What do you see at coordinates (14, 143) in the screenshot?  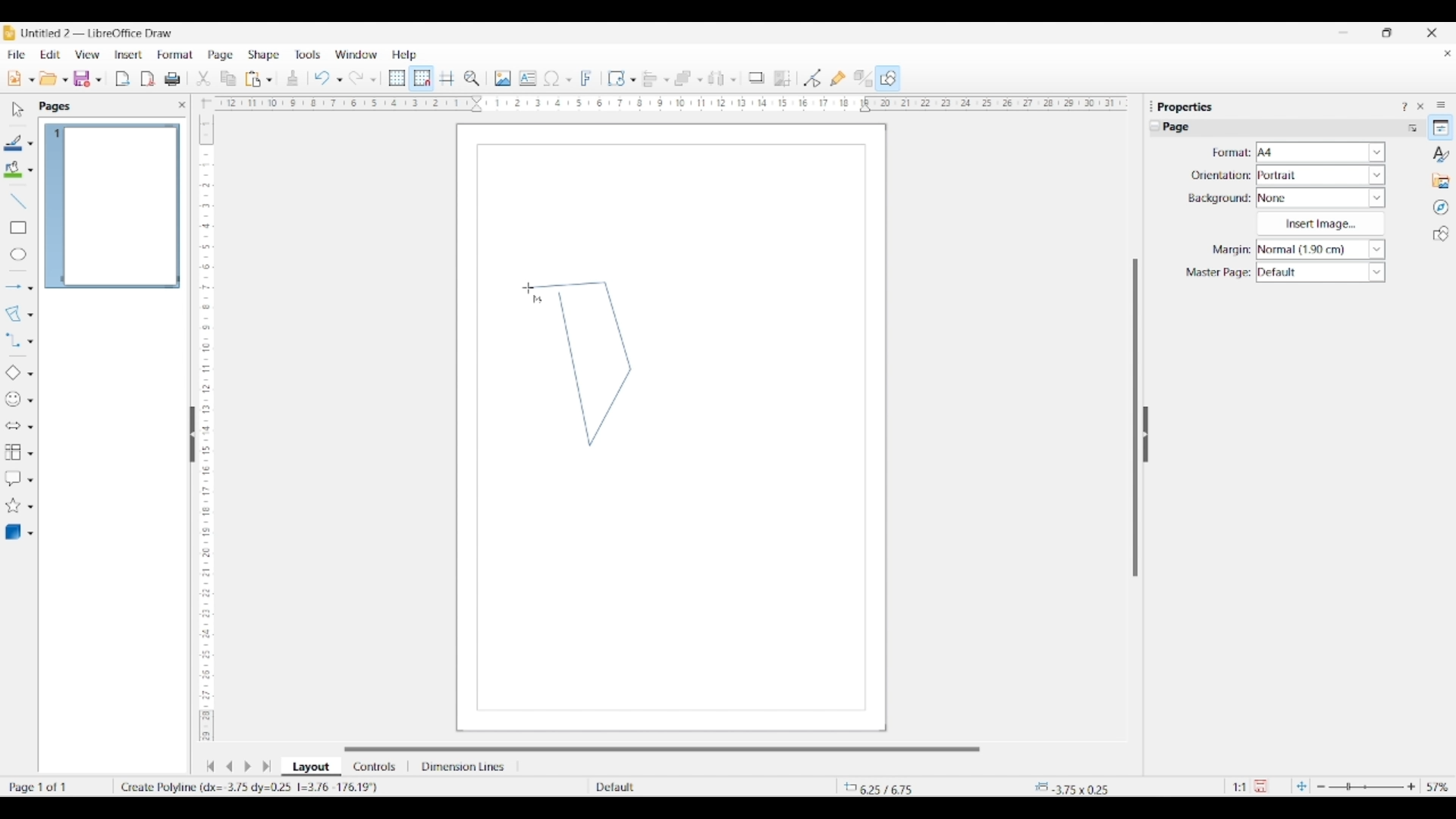 I see `Selected line color` at bounding box center [14, 143].